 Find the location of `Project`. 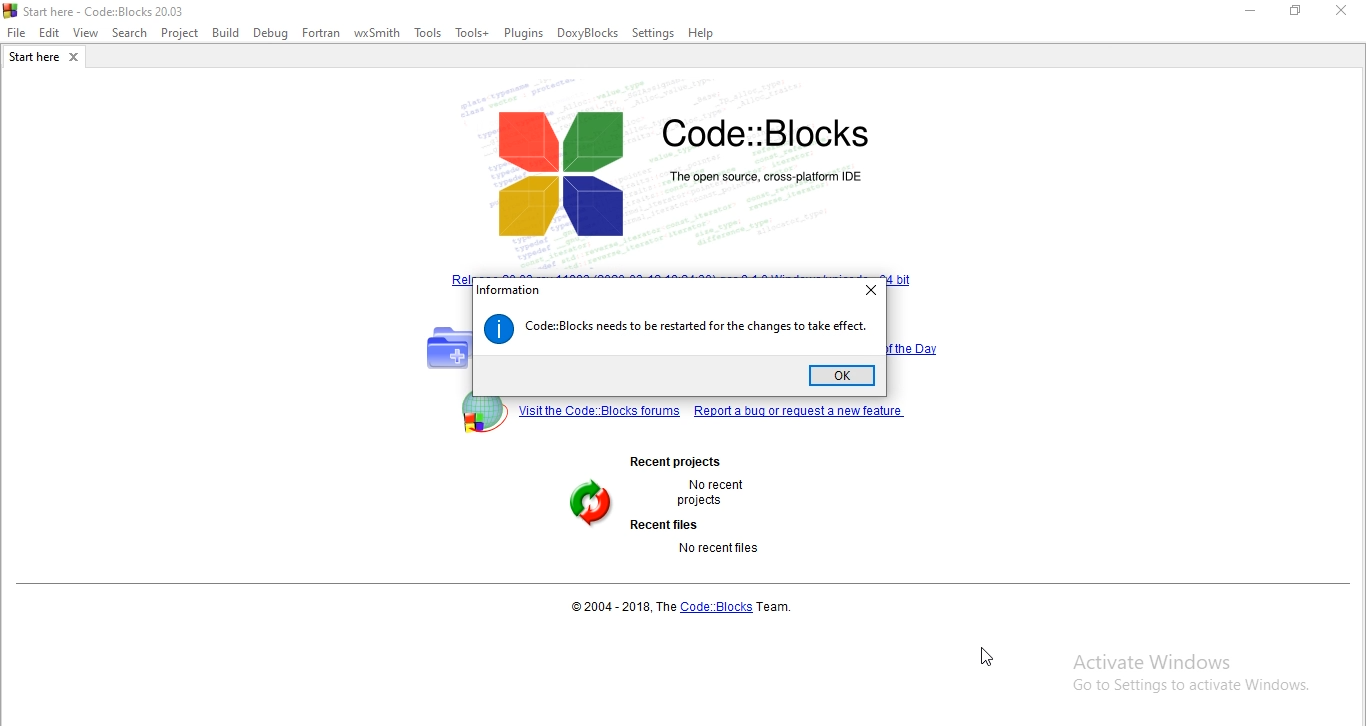

Project is located at coordinates (183, 33).